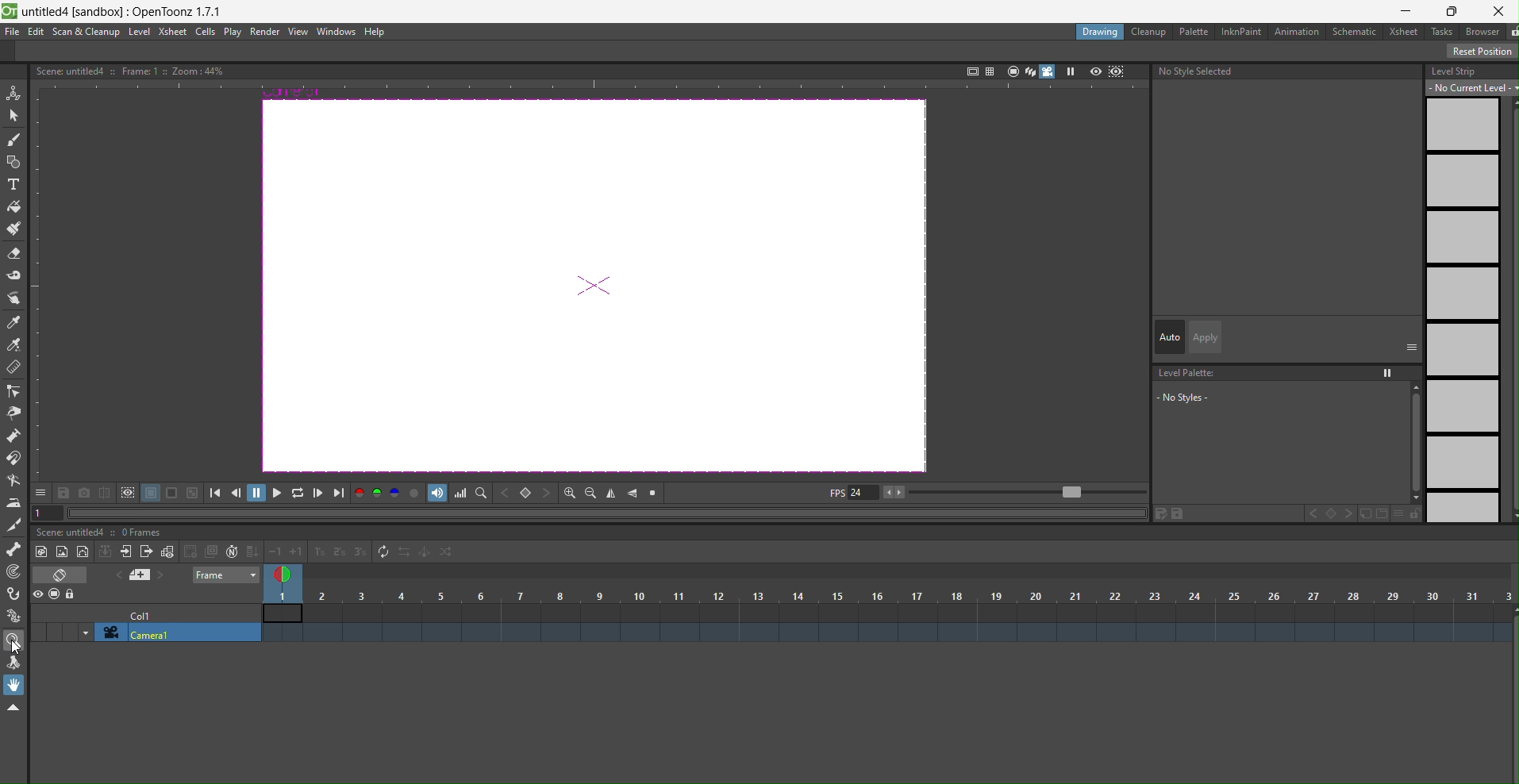 The height and width of the screenshot is (784, 1519). I want to click on file, so click(13, 31).